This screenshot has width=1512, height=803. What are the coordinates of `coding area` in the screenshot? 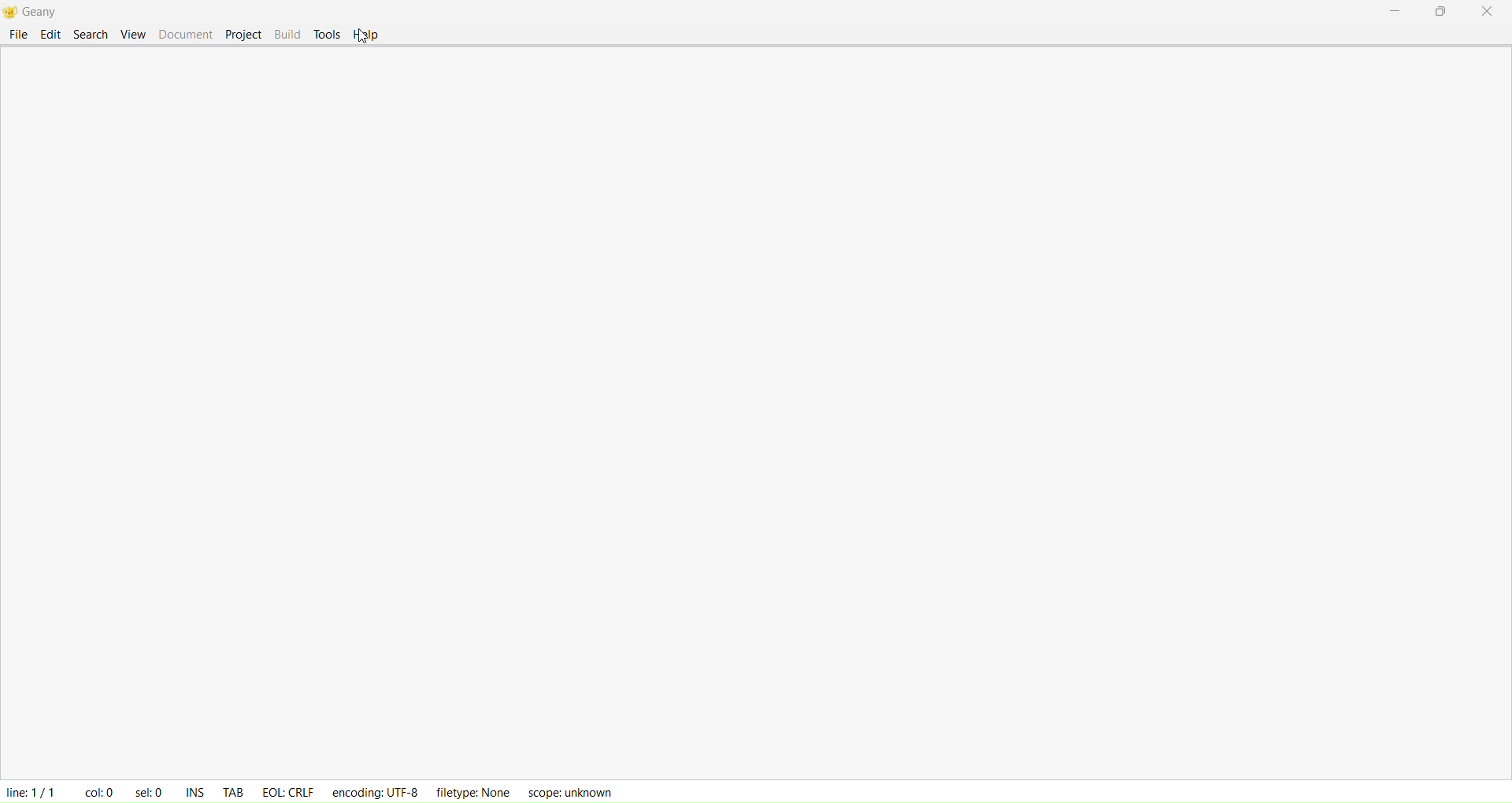 It's located at (762, 414).